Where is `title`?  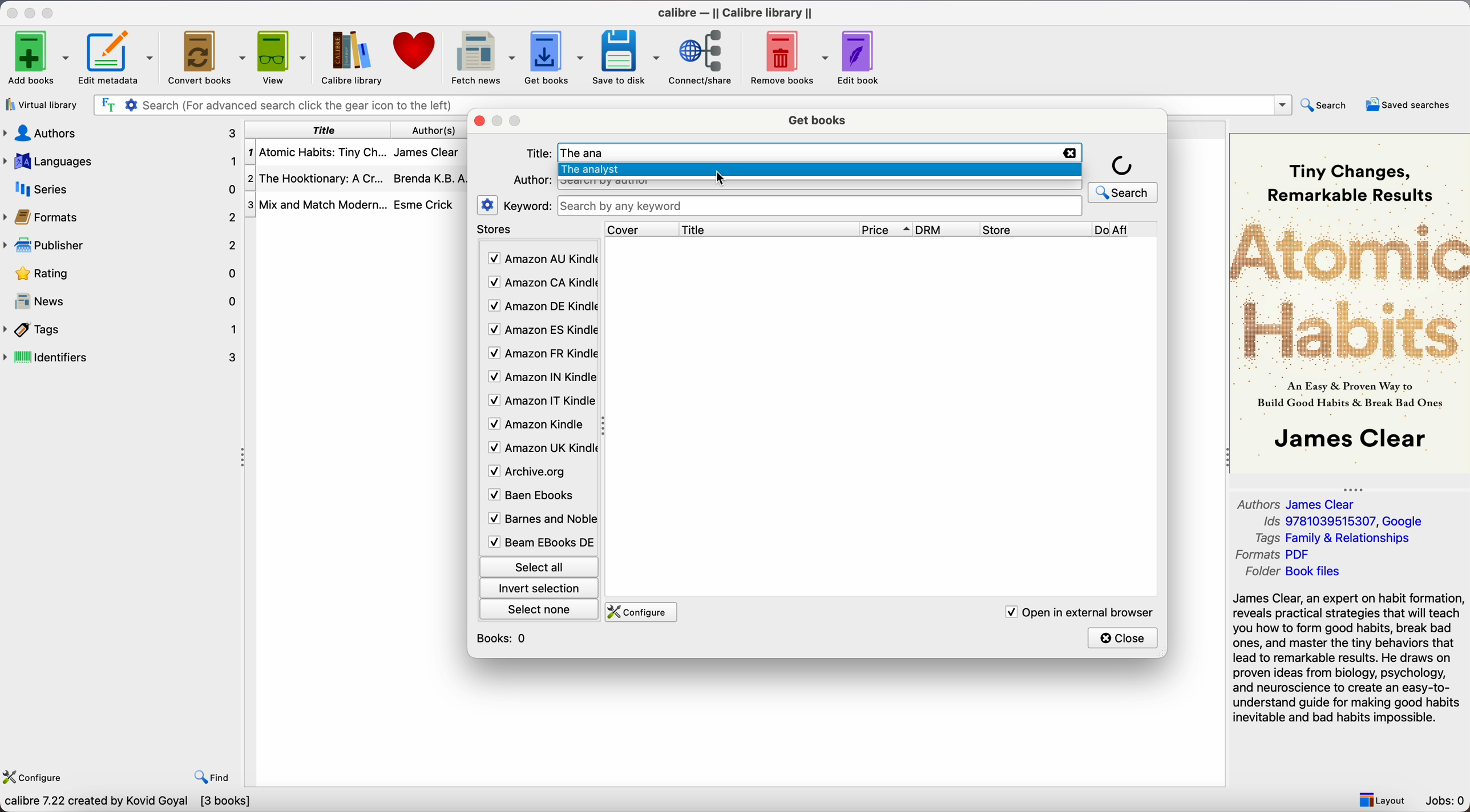
title is located at coordinates (324, 130).